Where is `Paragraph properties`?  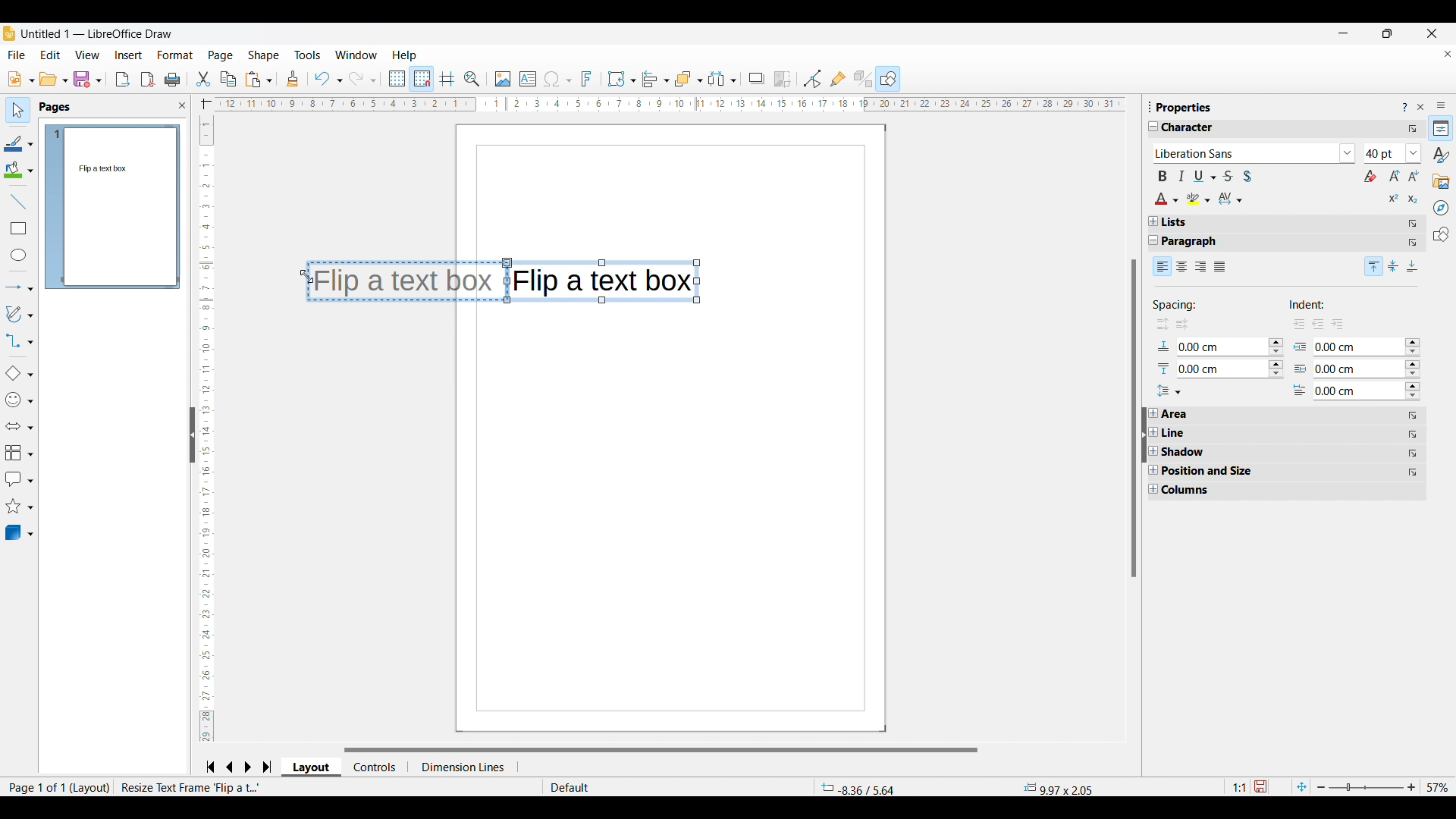 Paragraph properties is located at coordinates (1197, 242).